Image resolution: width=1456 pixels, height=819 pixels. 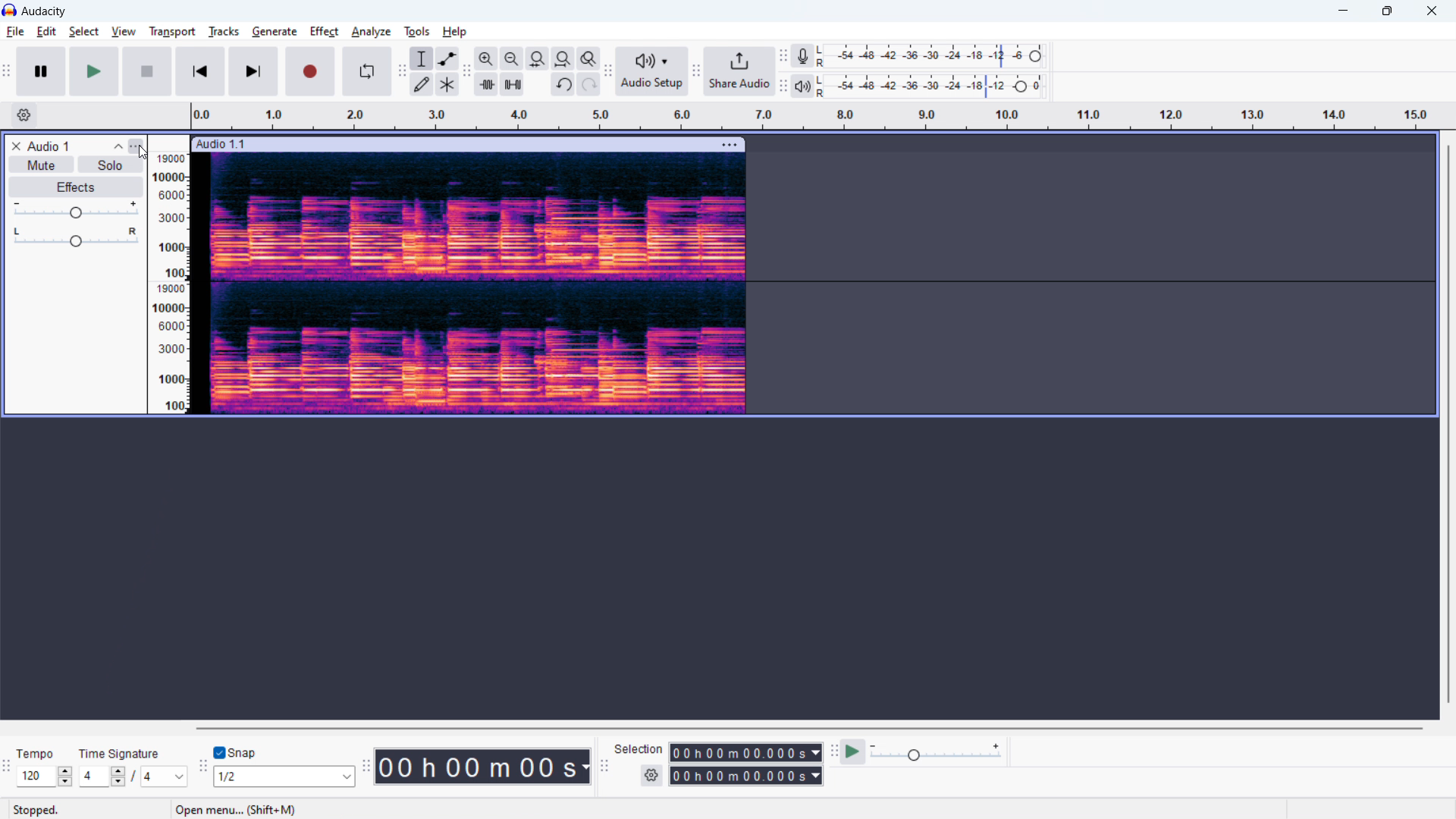 I want to click on effect, so click(x=325, y=31).